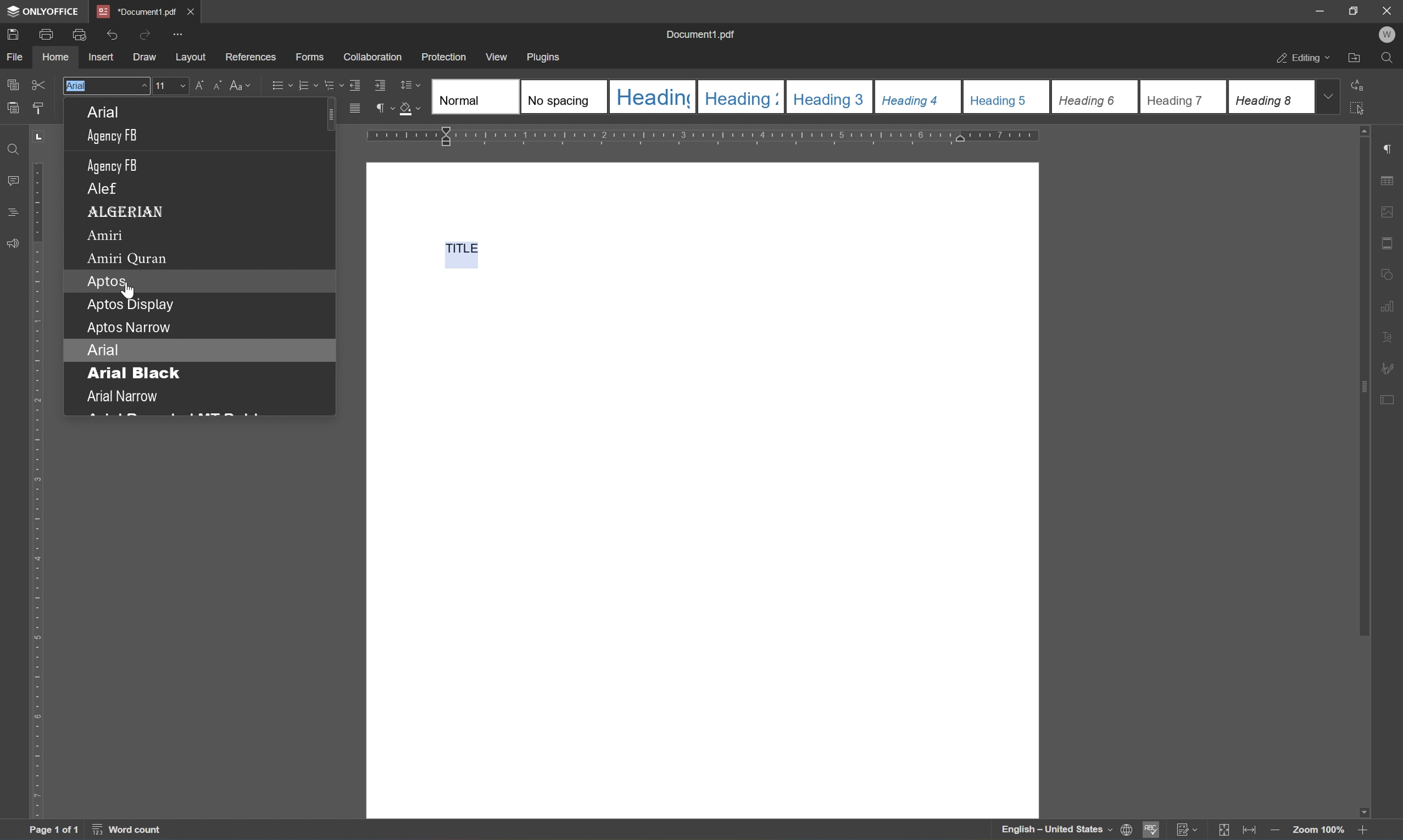  I want to click on Aptos Display, so click(132, 306).